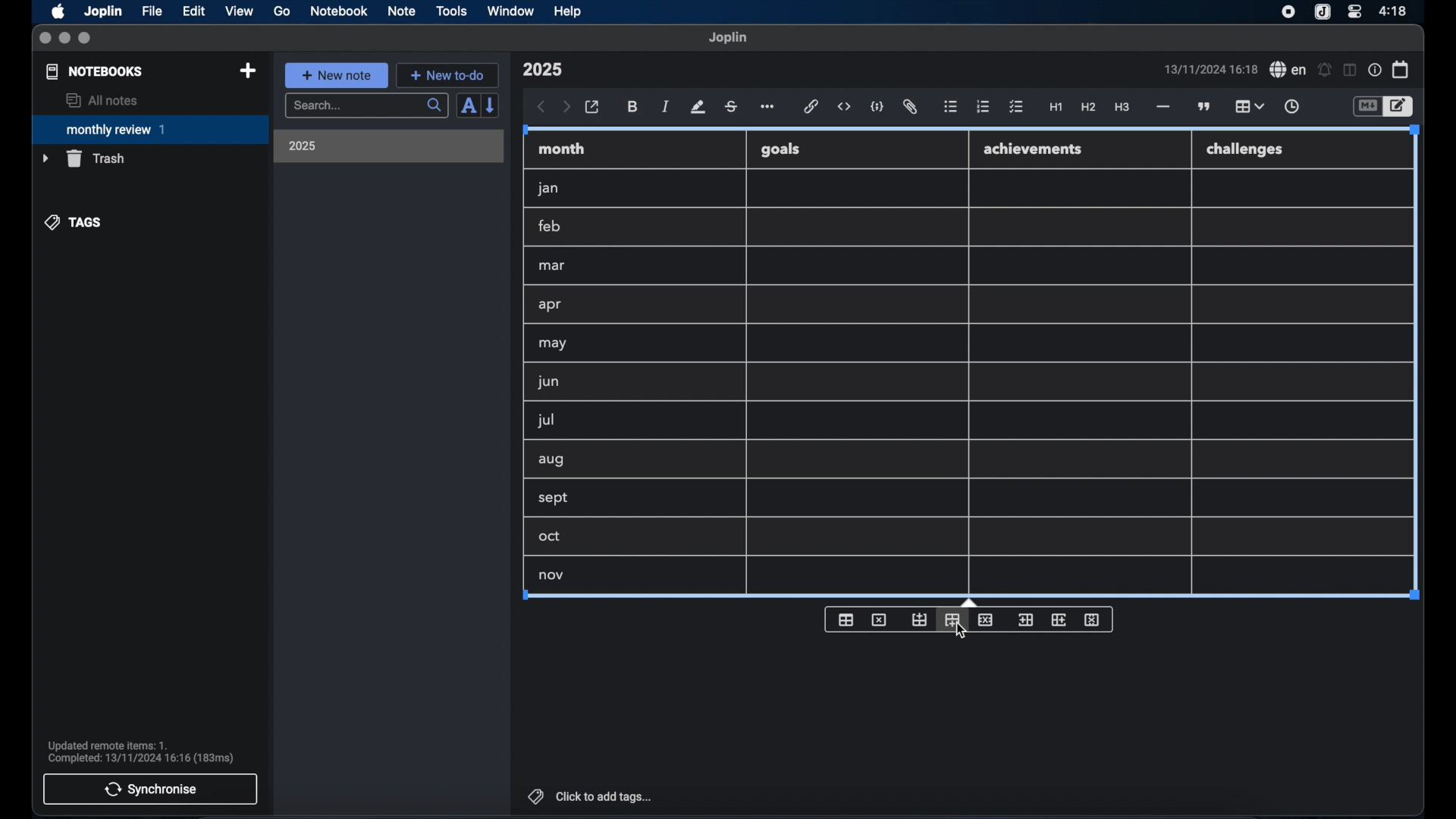  I want to click on Joplin, so click(105, 12).